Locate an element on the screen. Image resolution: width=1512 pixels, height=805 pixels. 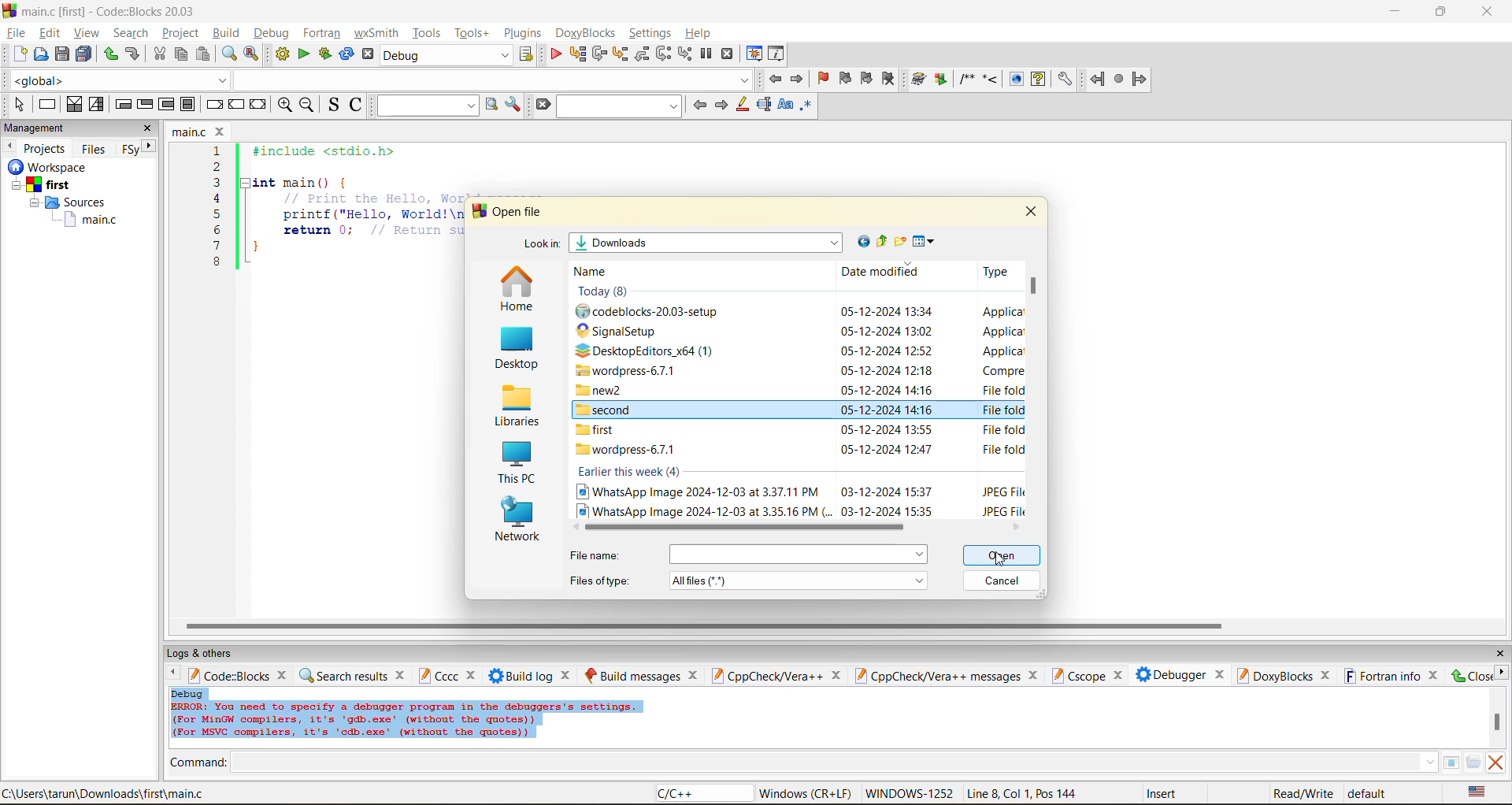
replace is located at coordinates (252, 54).